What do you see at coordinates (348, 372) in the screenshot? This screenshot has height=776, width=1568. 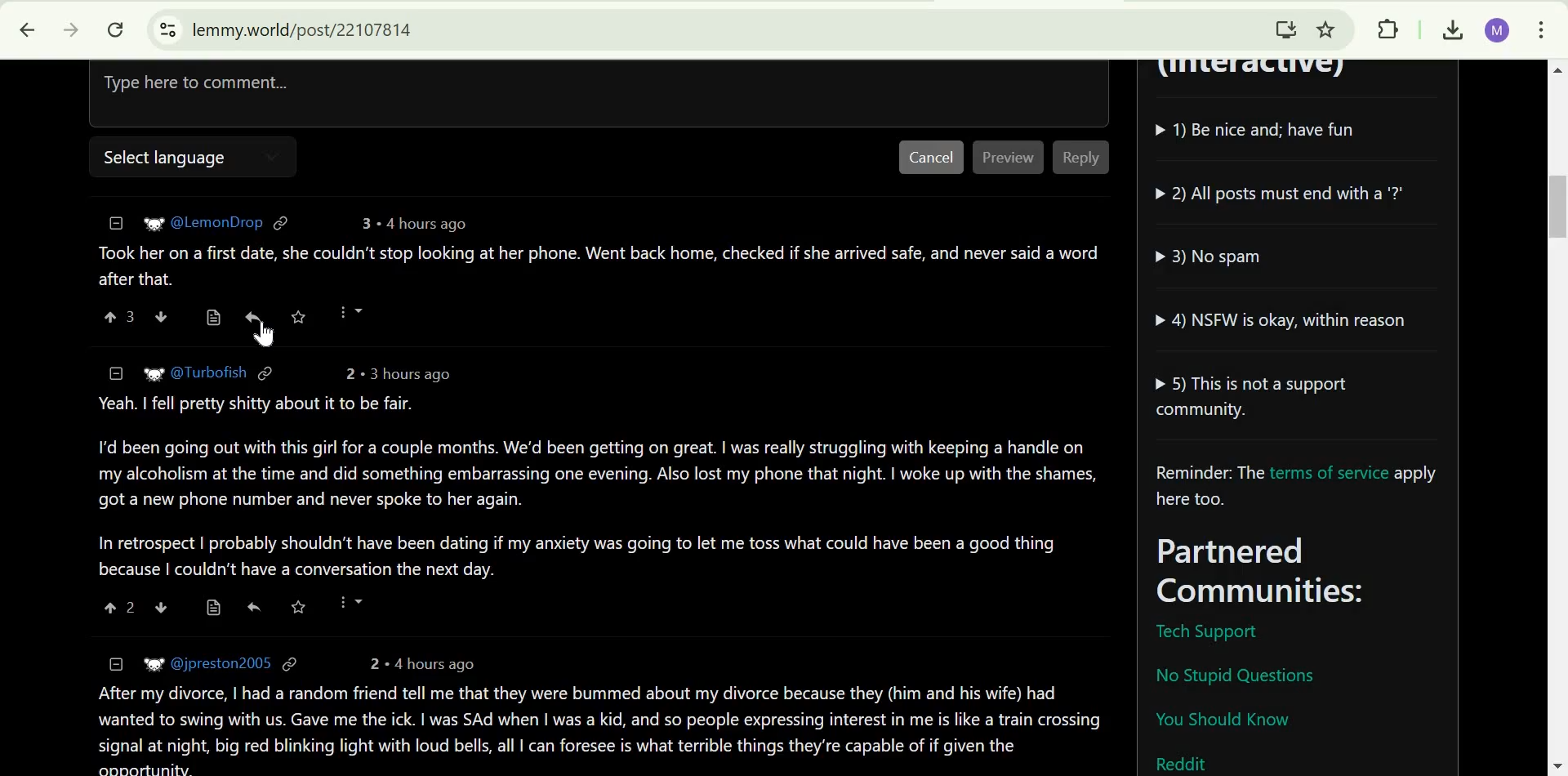 I see `2 points` at bounding box center [348, 372].